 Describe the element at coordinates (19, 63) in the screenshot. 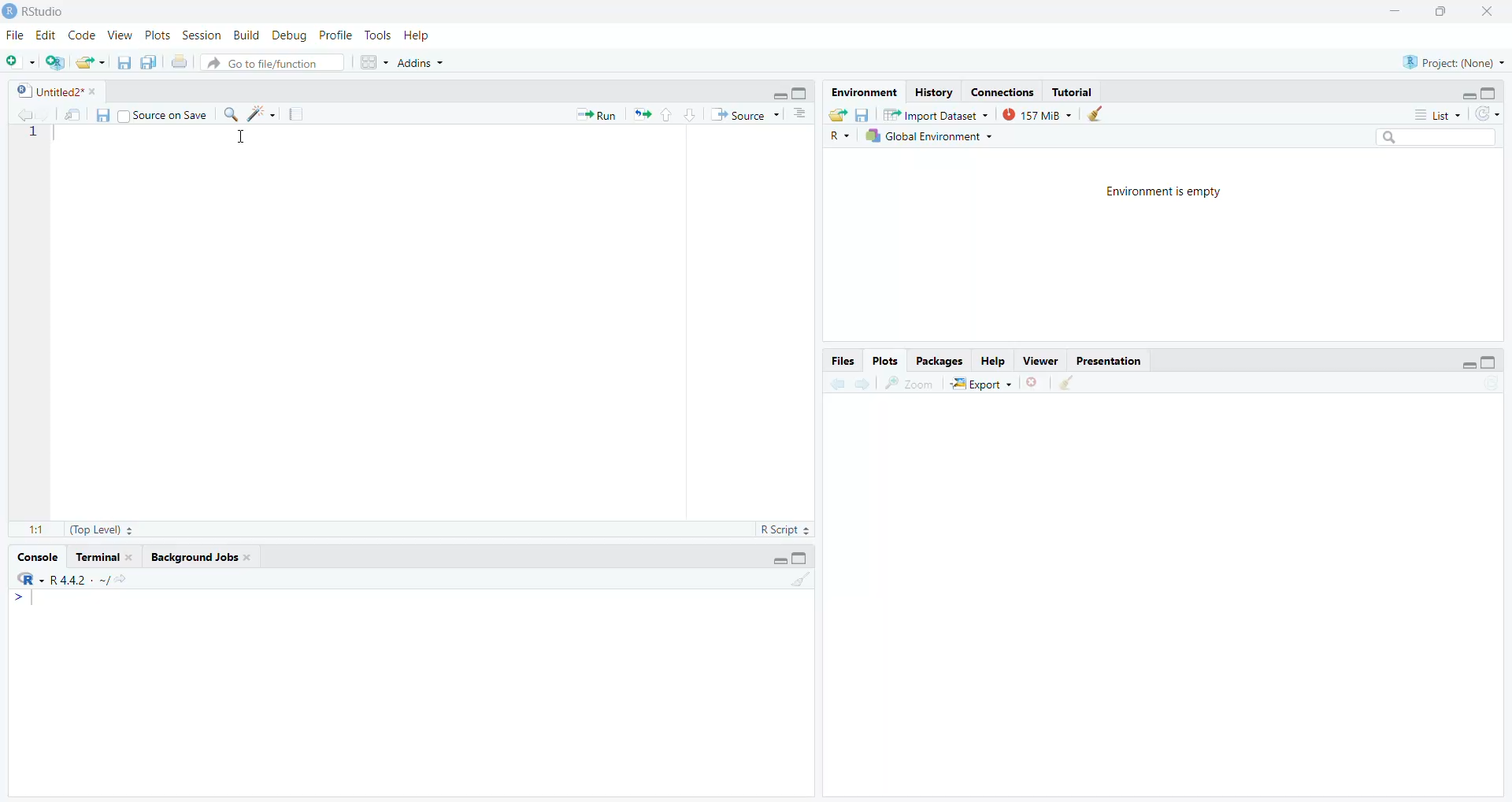

I see `new file` at that location.